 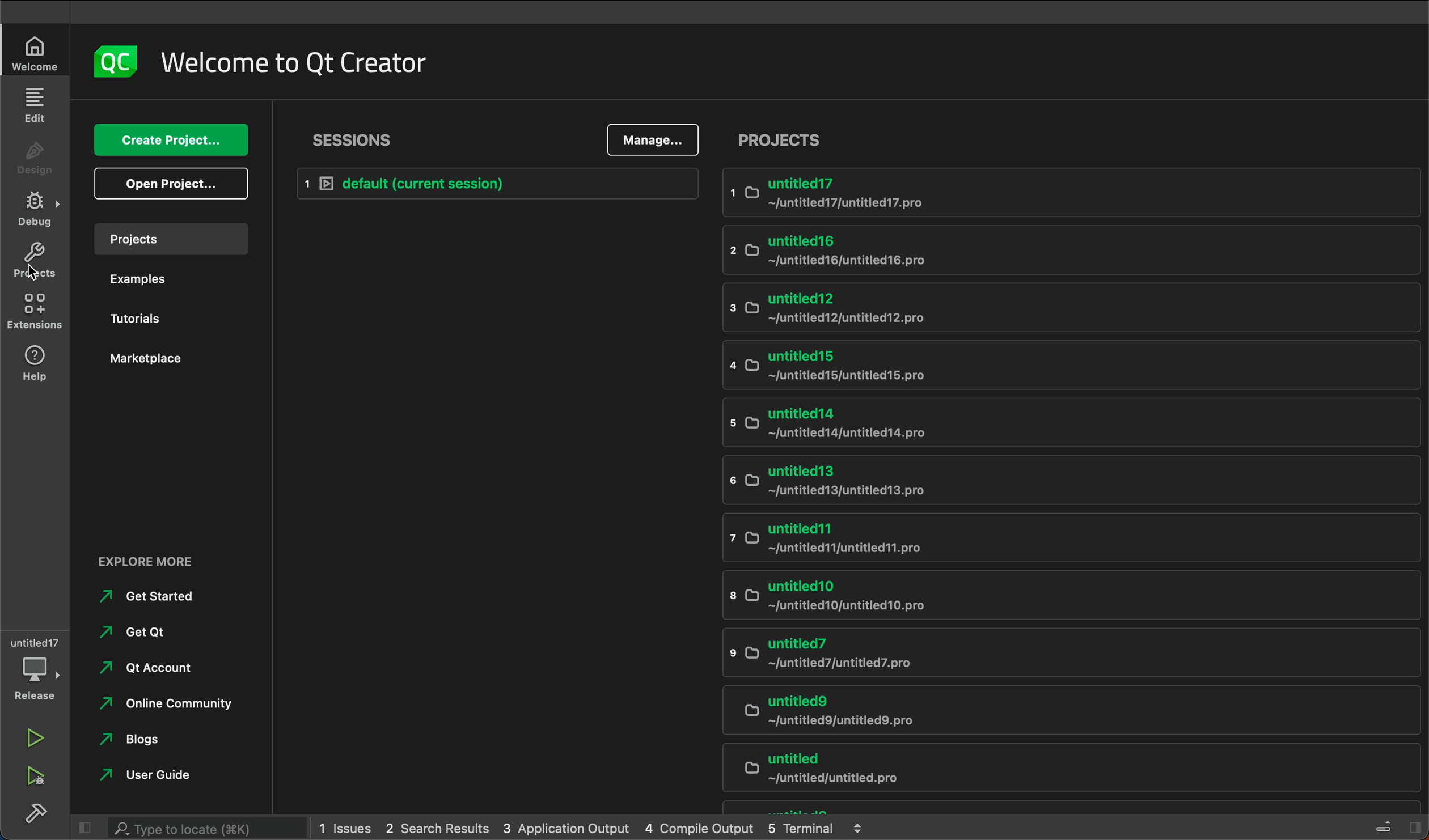 What do you see at coordinates (298, 63) in the screenshot?
I see `welcome` at bounding box center [298, 63].